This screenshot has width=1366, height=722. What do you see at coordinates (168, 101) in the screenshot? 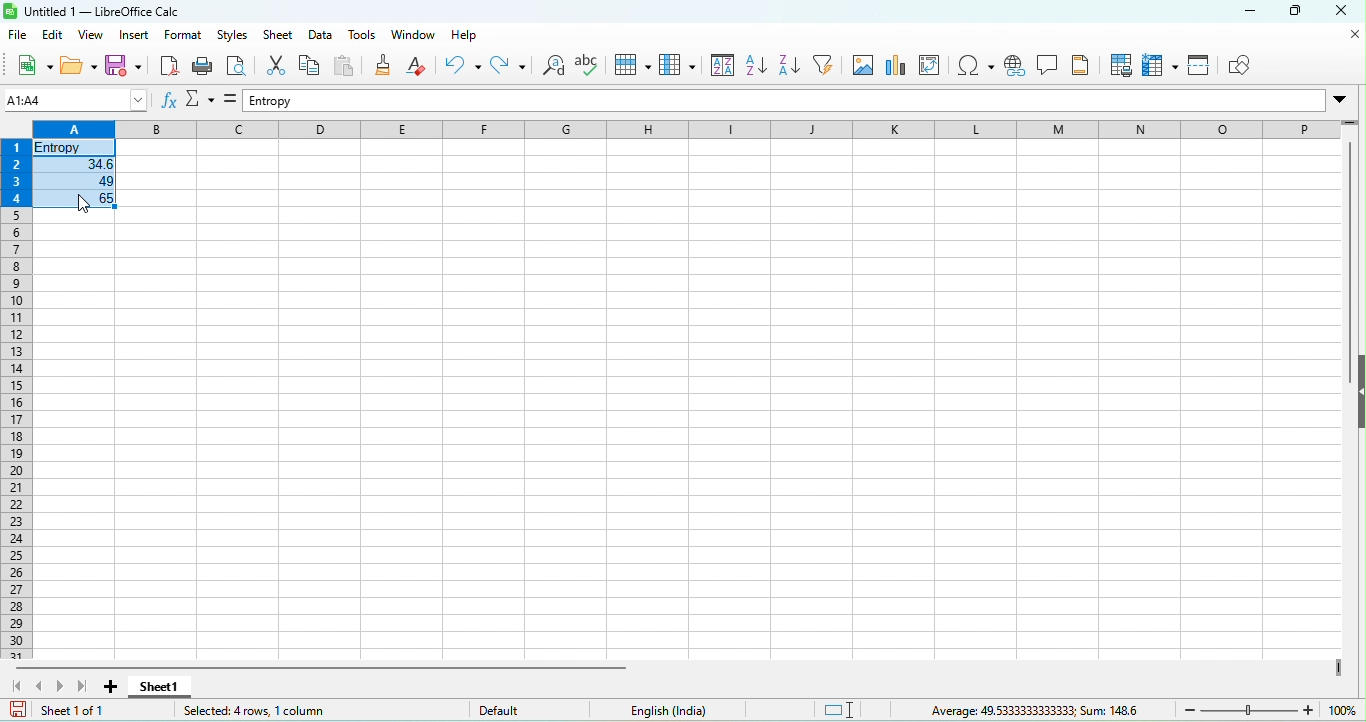
I see `function wizard` at bounding box center [168, 101].